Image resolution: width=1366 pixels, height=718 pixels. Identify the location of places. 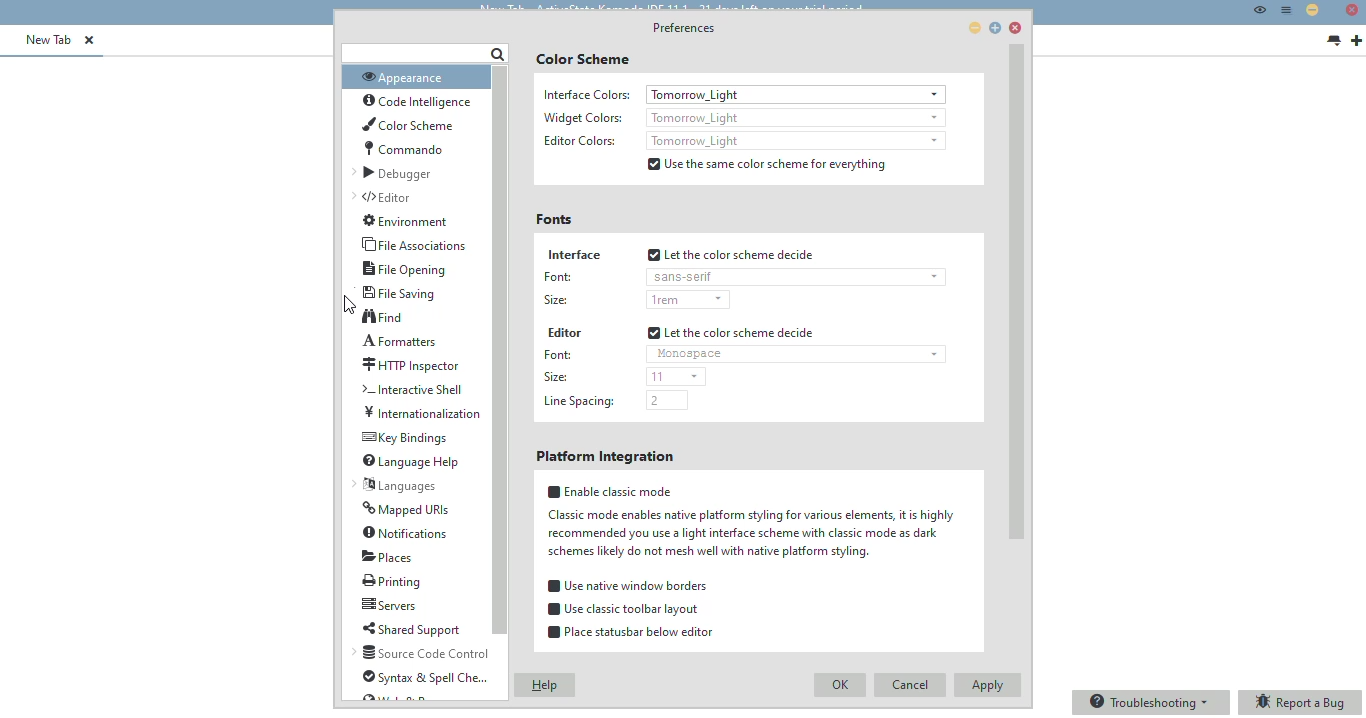
(386, 557).